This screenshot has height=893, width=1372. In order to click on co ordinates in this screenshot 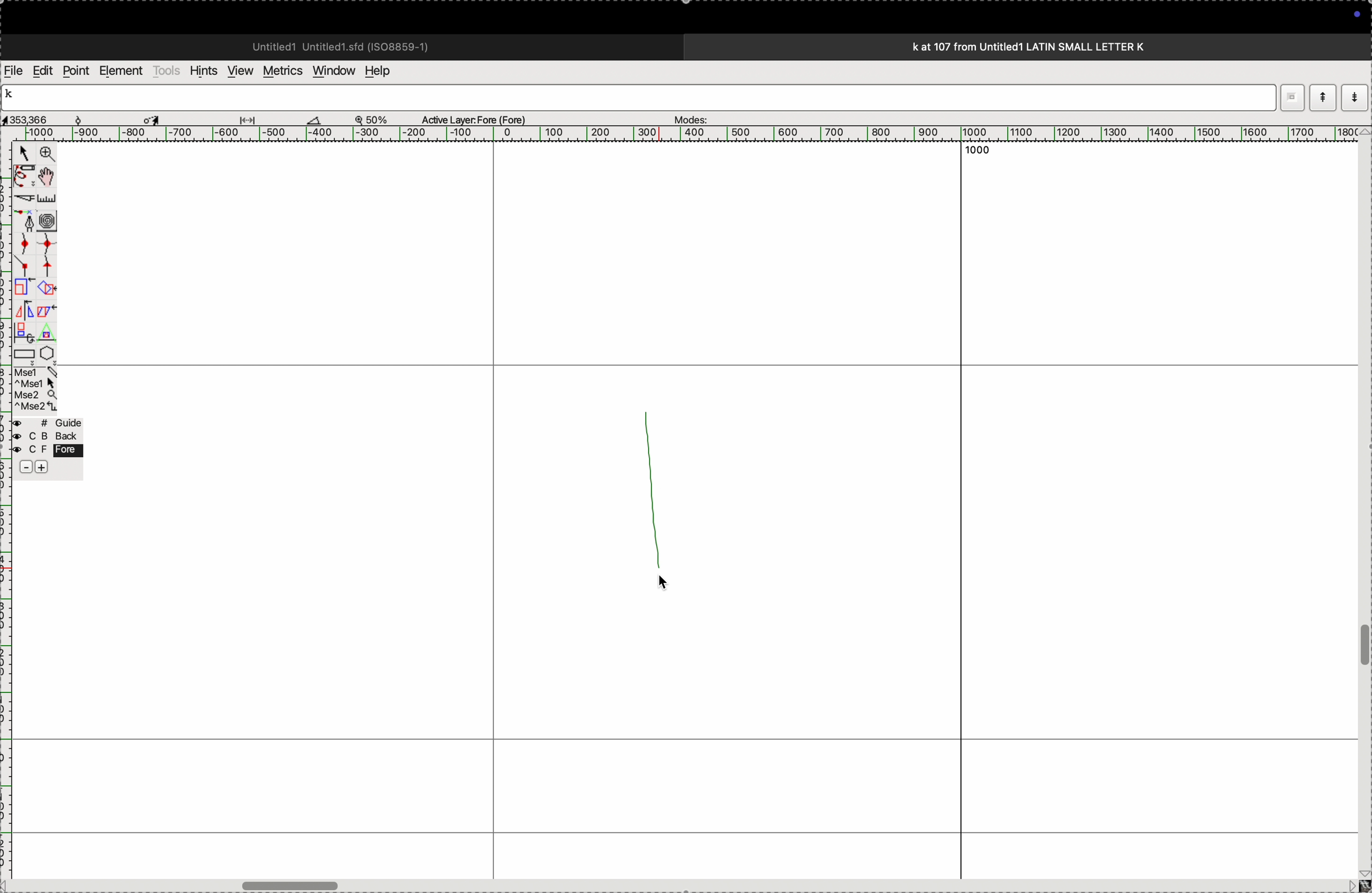, I will do `click(40, 116)`.